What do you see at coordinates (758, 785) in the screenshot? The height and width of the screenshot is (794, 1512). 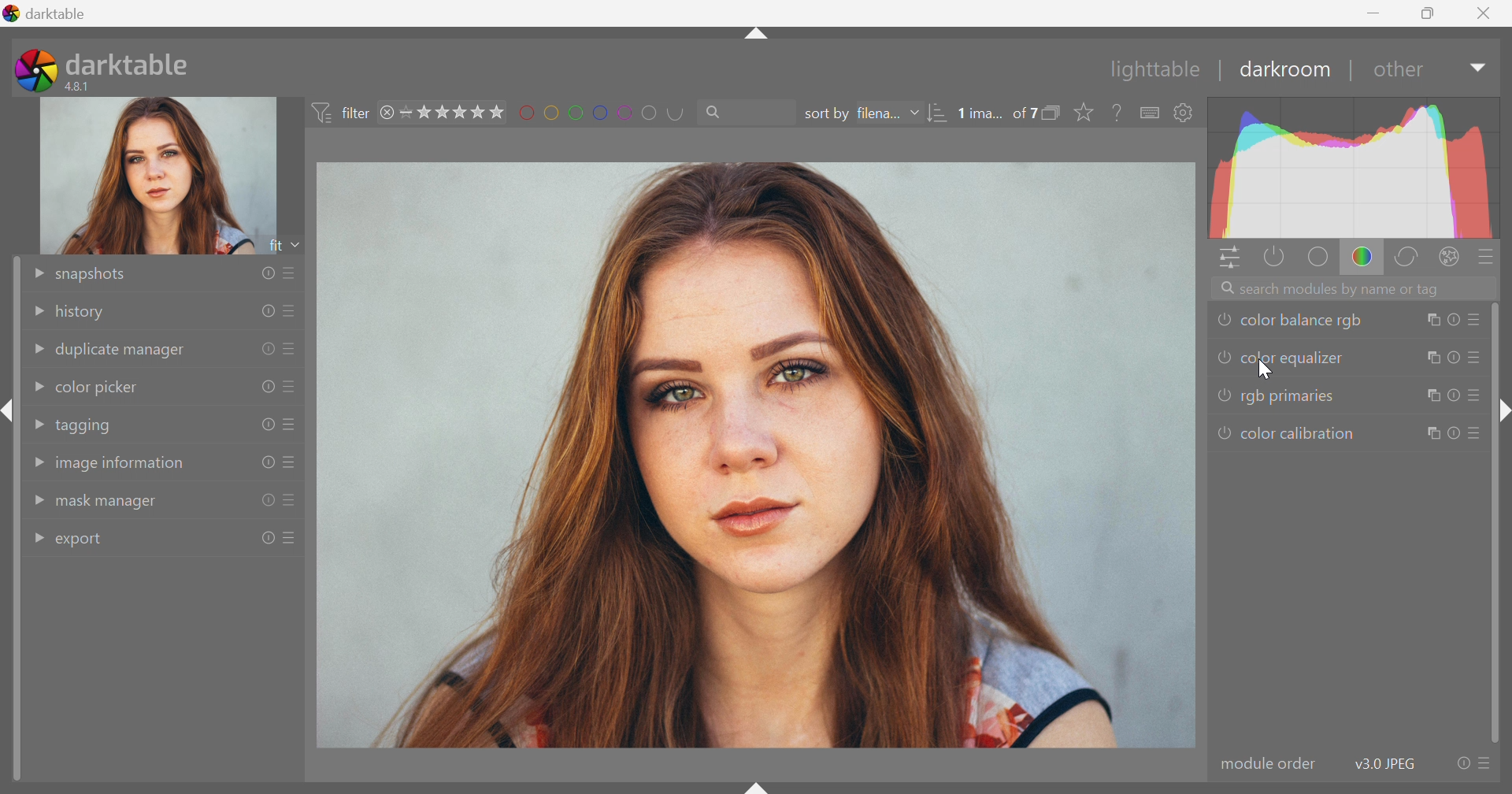 I see `shift+ctrl+b` at bounding box center [758, 785].